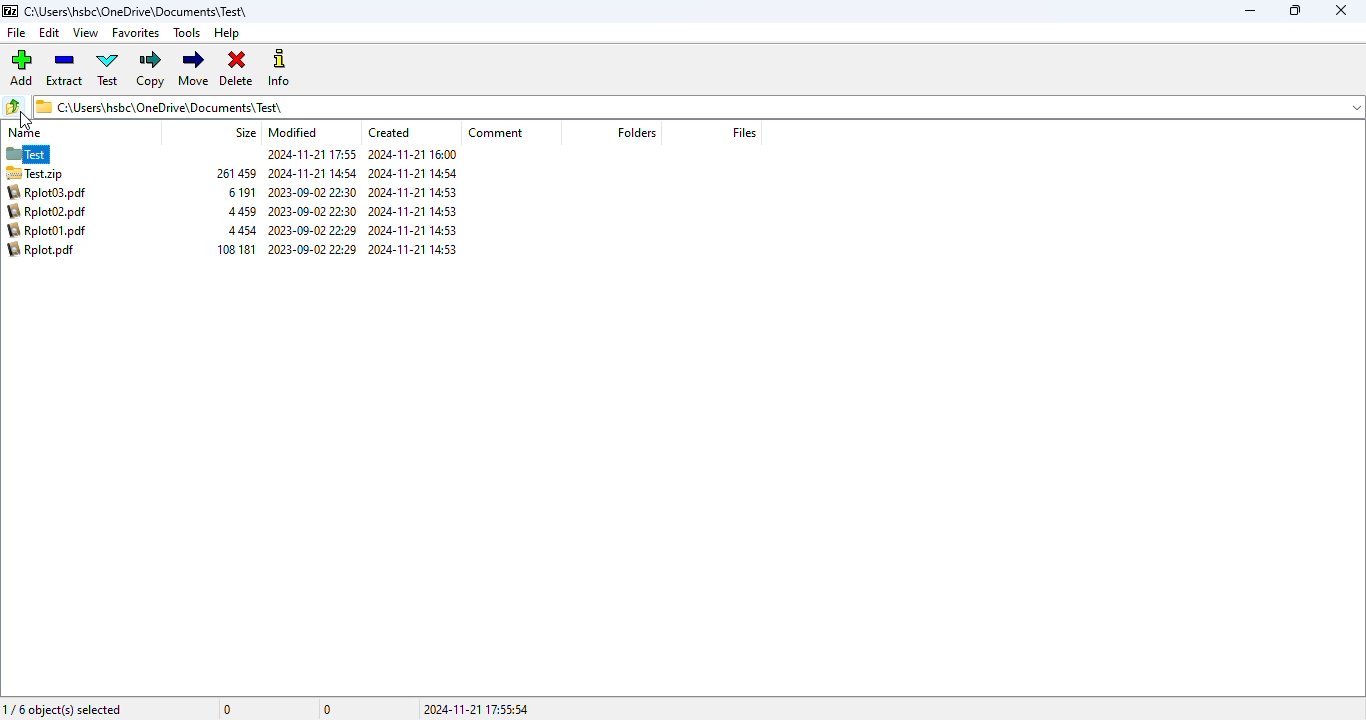 This screenshot has height=720, width=1366. Describe the element at coordinates (48, 154) in the screenshot. I see `Test` at that location.